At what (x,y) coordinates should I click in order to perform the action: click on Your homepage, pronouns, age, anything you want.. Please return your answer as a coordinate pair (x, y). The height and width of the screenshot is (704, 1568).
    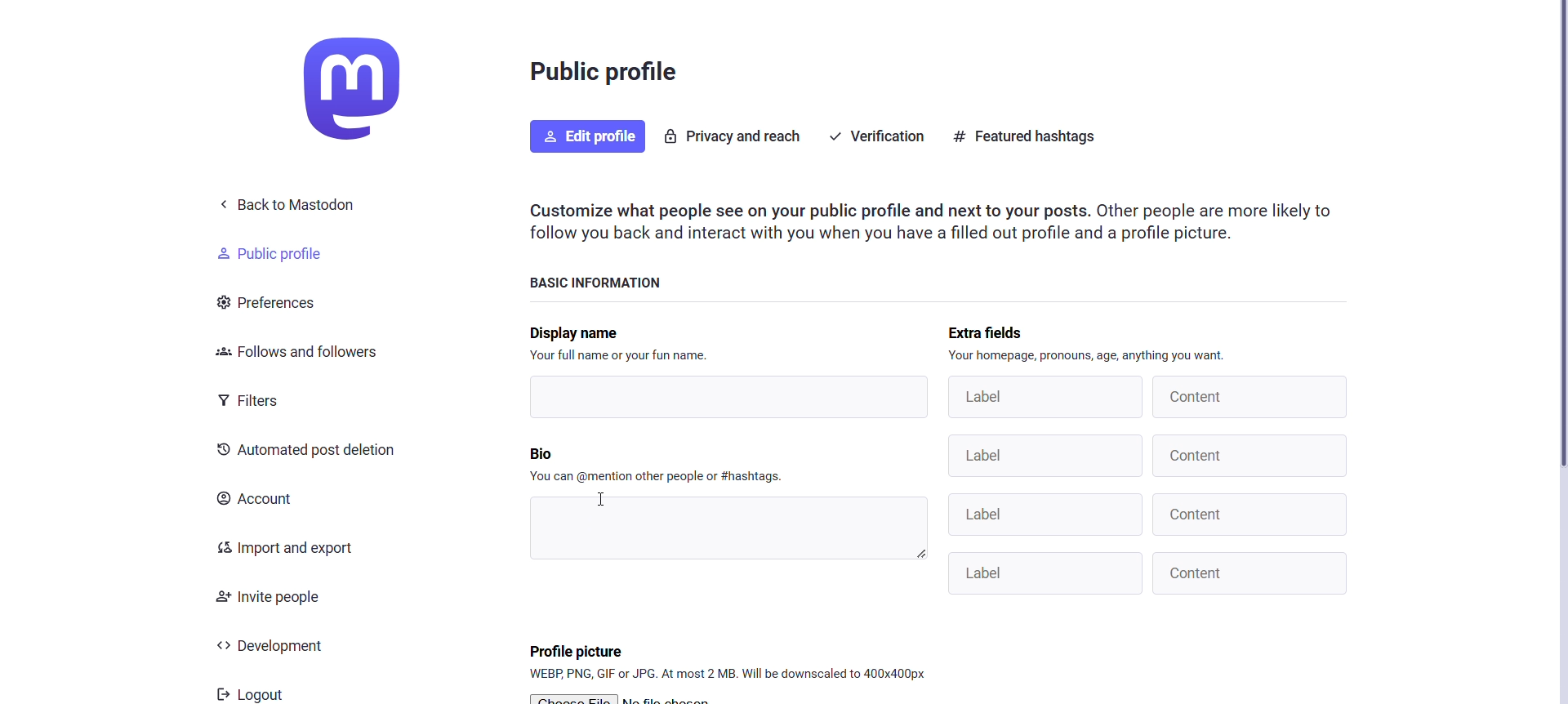
    Looking at the image, I should click on (1089, 354).